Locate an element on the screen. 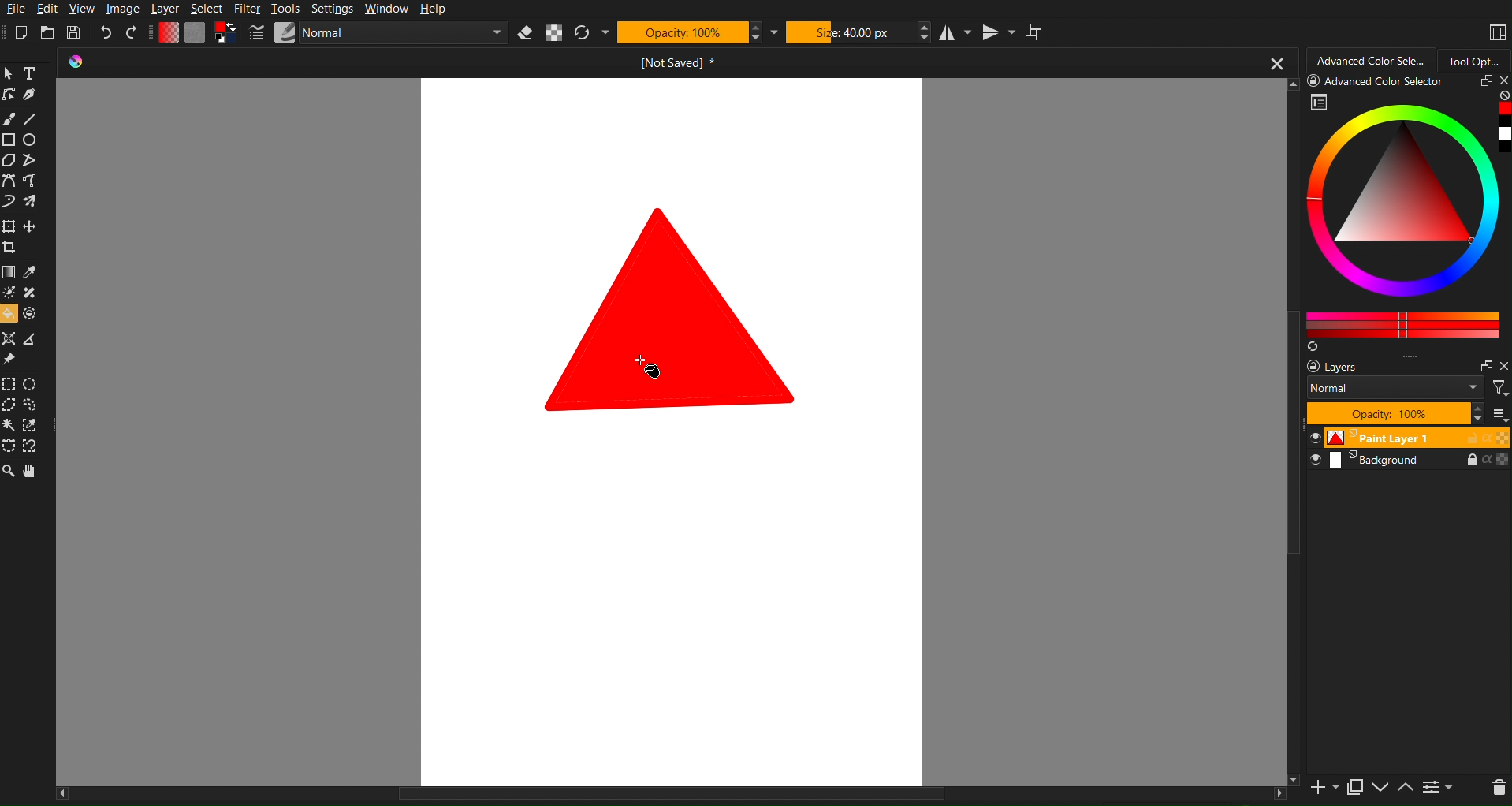  Tool Options is located at coordinates (1476, 58).